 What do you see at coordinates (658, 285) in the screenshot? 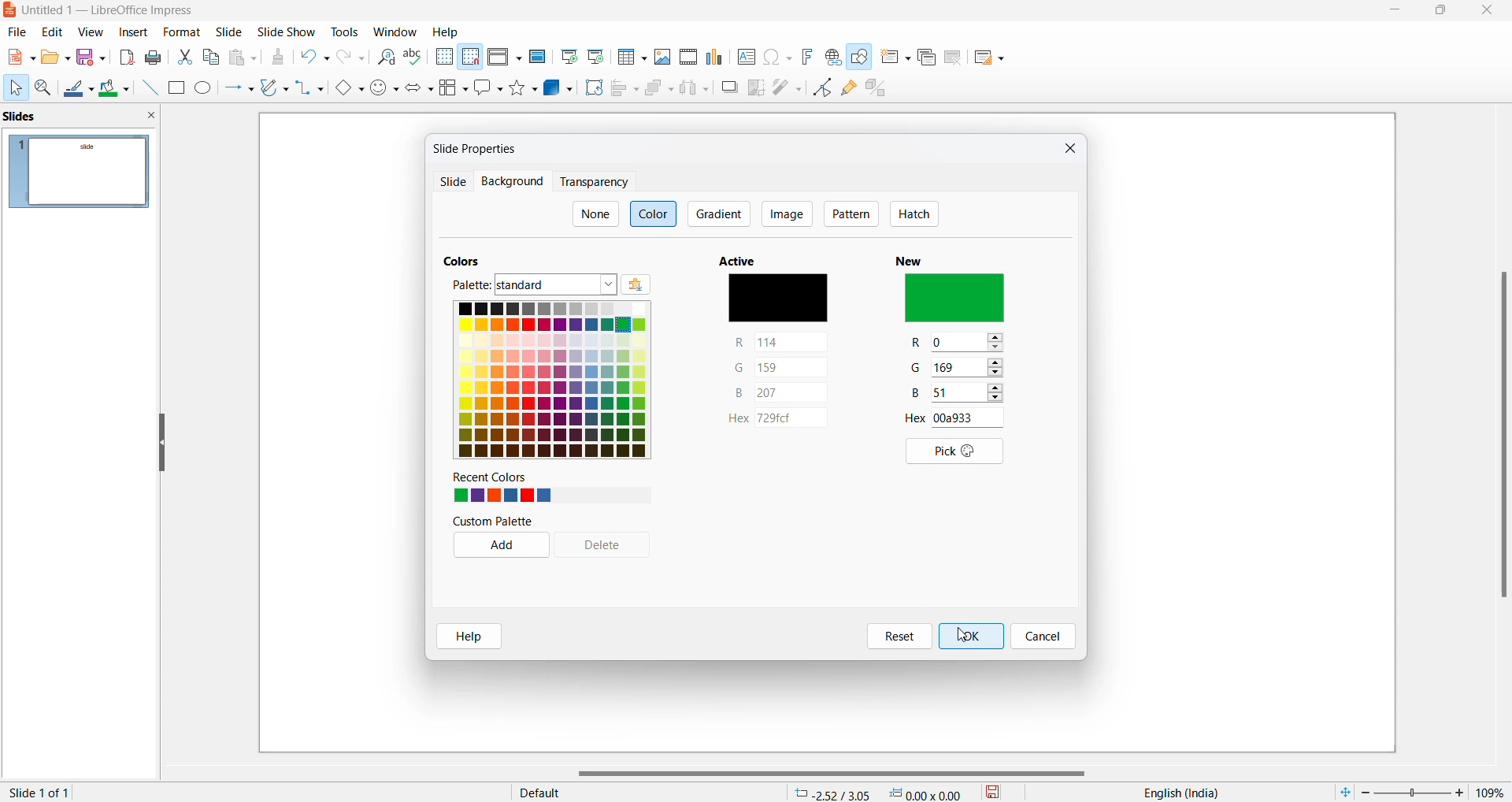
I see `add color palettes via extension` at bounding box center [658, 285].